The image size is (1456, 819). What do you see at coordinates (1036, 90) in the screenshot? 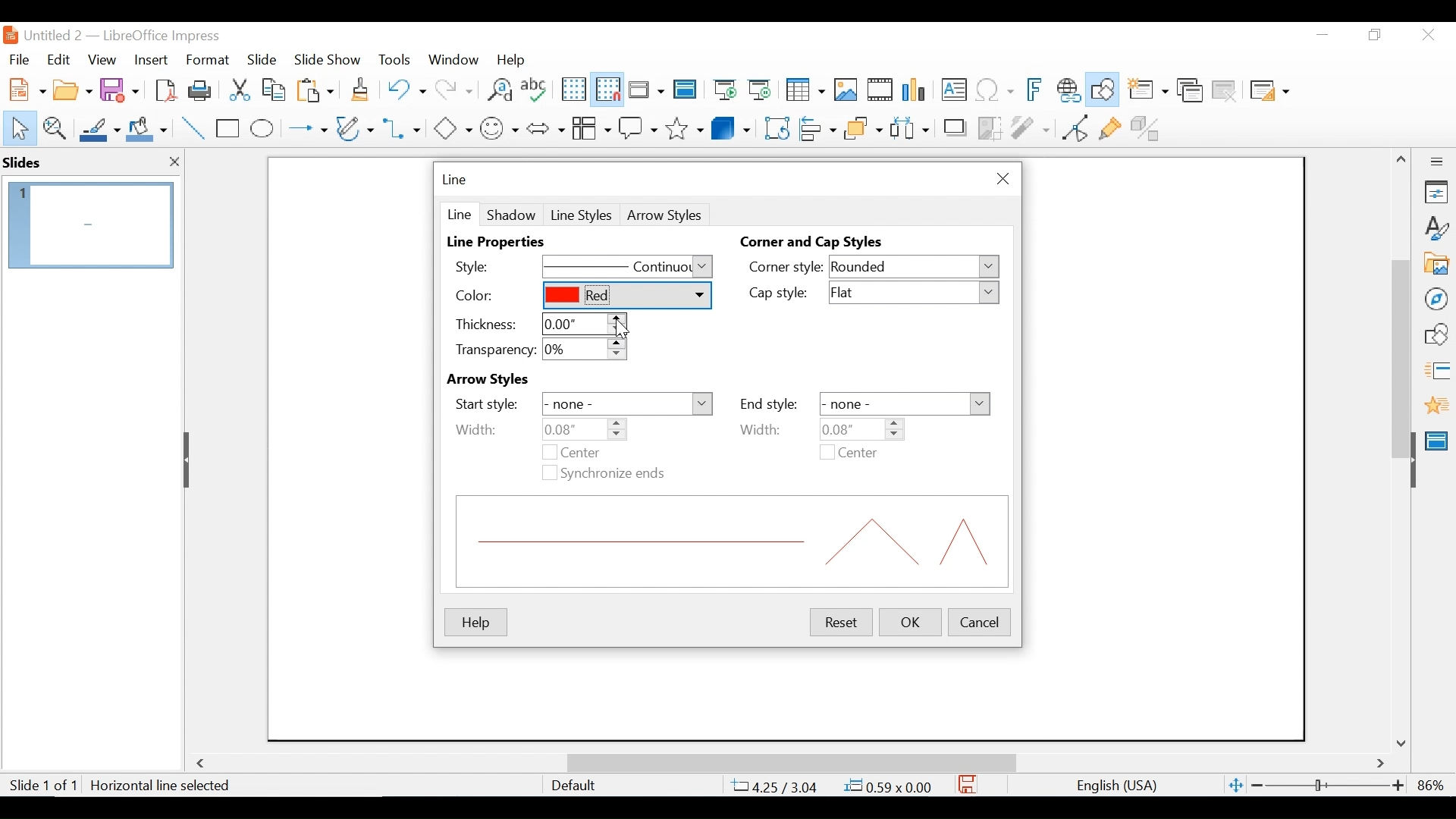
I see `Insert Frontwork` at bounding box center [1036, 90].